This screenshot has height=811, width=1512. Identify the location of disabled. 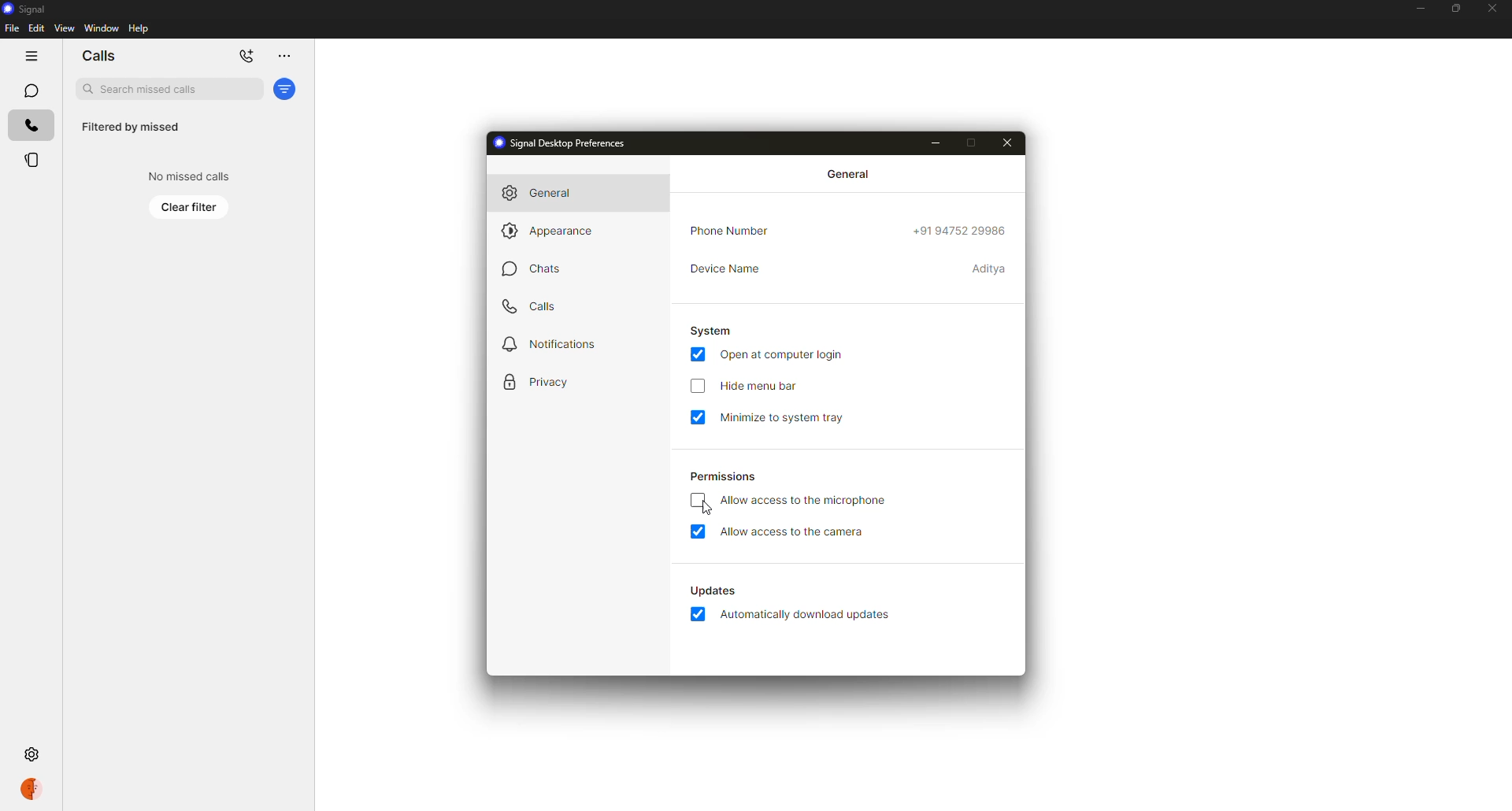
(699, 500).